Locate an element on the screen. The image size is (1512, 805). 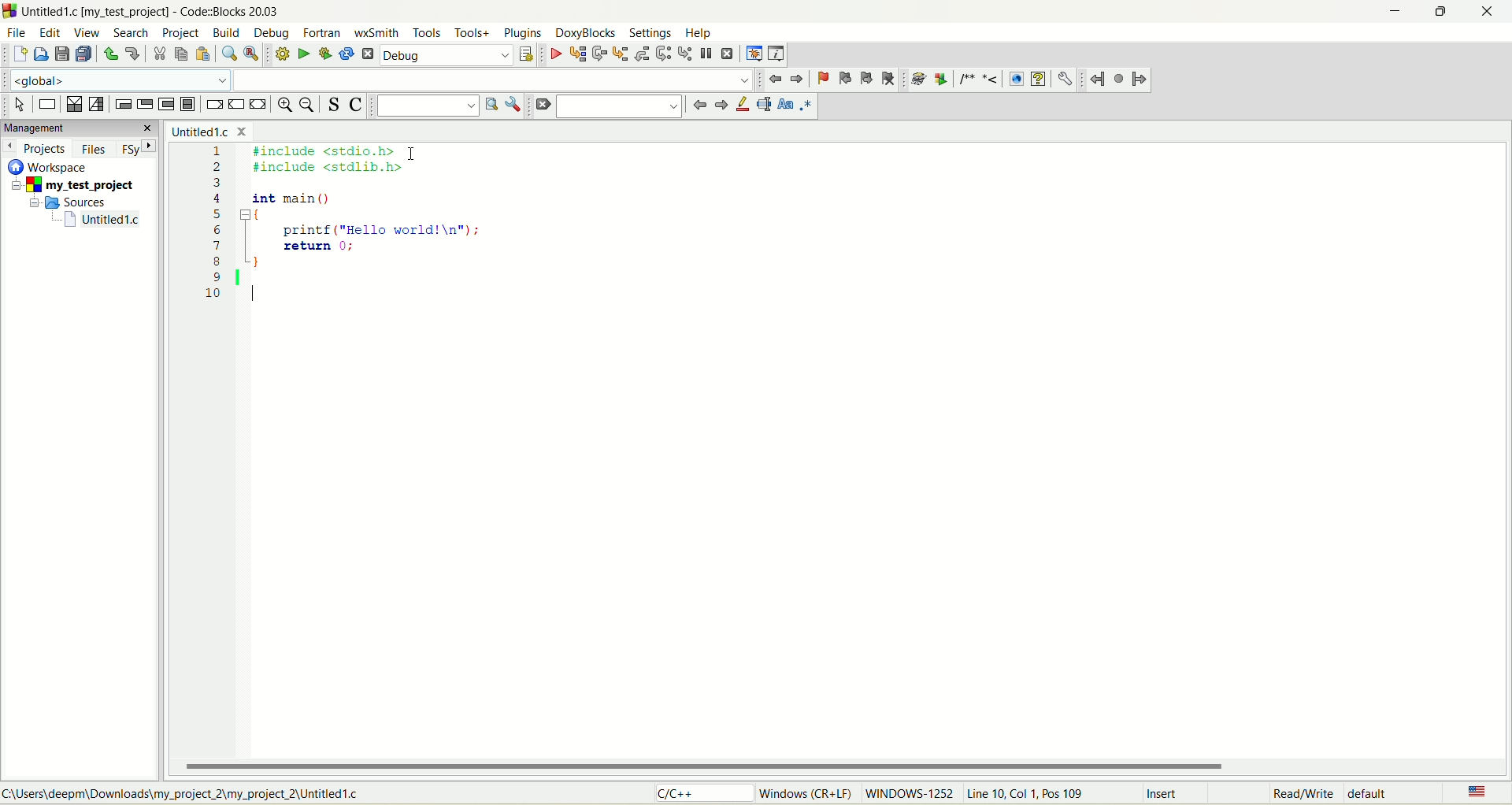
find is located at coordinates (227, 52).